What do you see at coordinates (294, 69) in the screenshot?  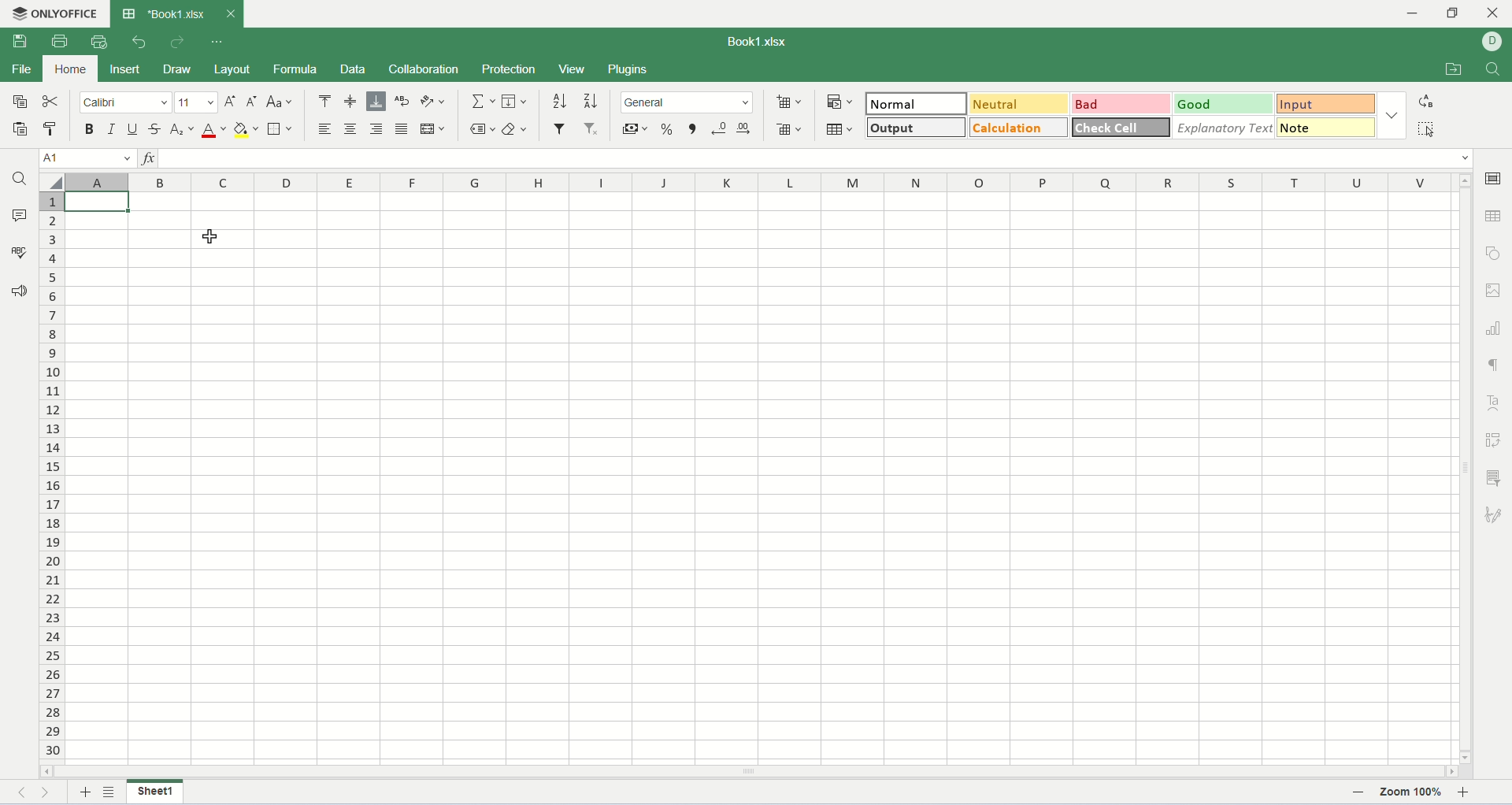 I see `formula` at bounding box center [294, 69].